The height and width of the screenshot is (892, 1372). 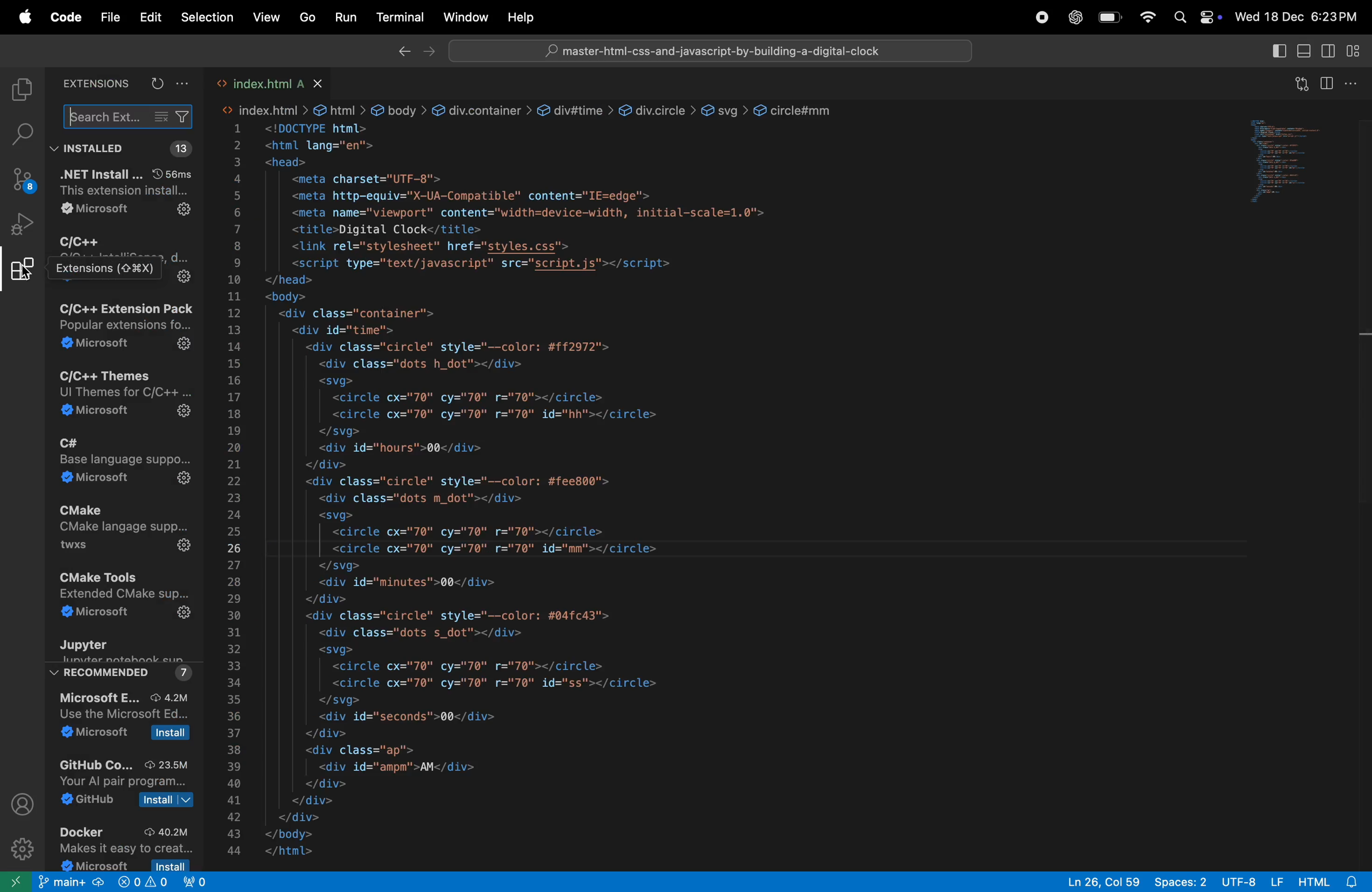 What do you see at coordinates (525, 17) in the screenshot?
I see `help` at bounding box center [525, 17].